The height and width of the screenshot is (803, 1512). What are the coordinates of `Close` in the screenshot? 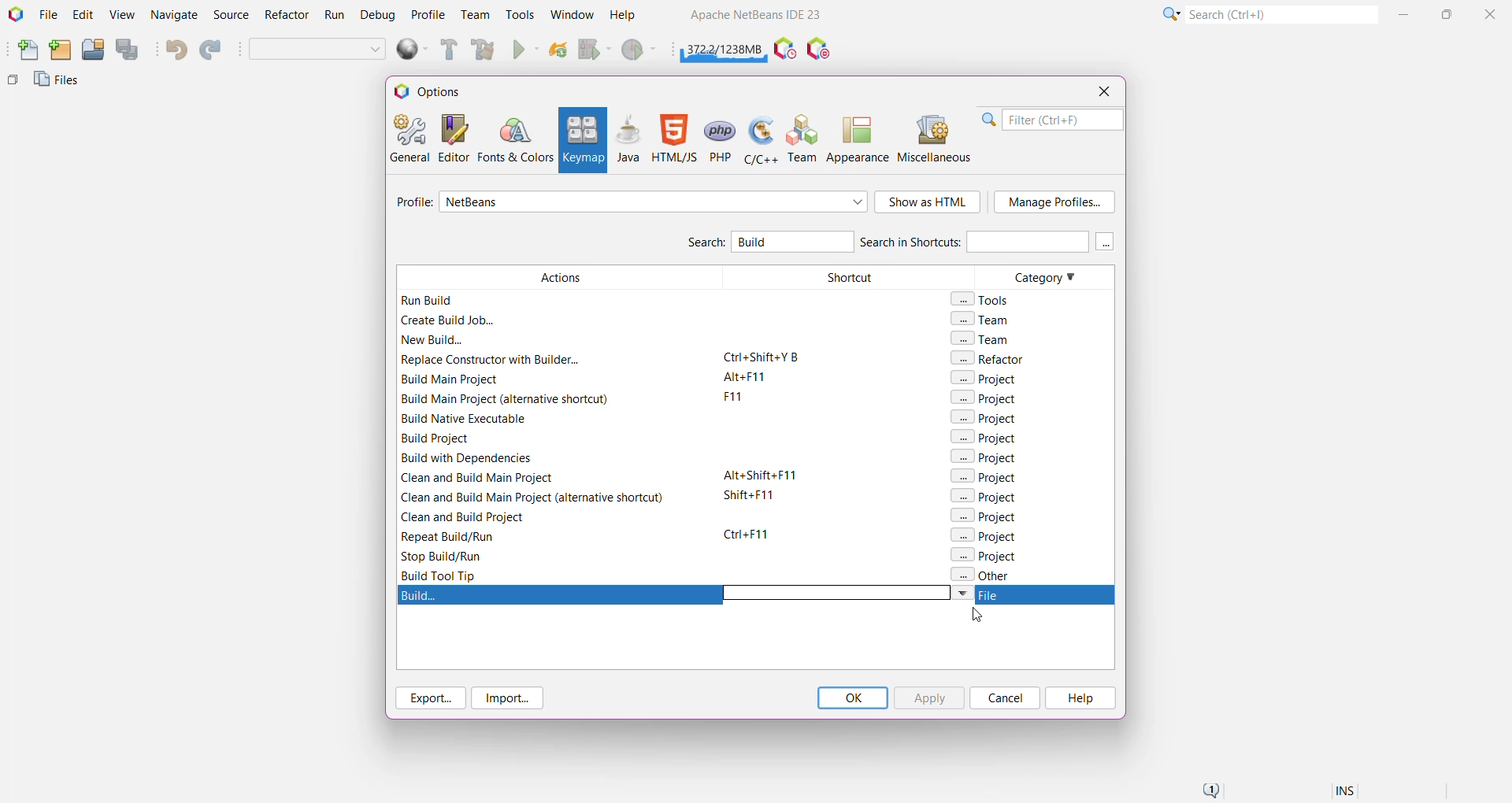 It's located at (1103, 91).